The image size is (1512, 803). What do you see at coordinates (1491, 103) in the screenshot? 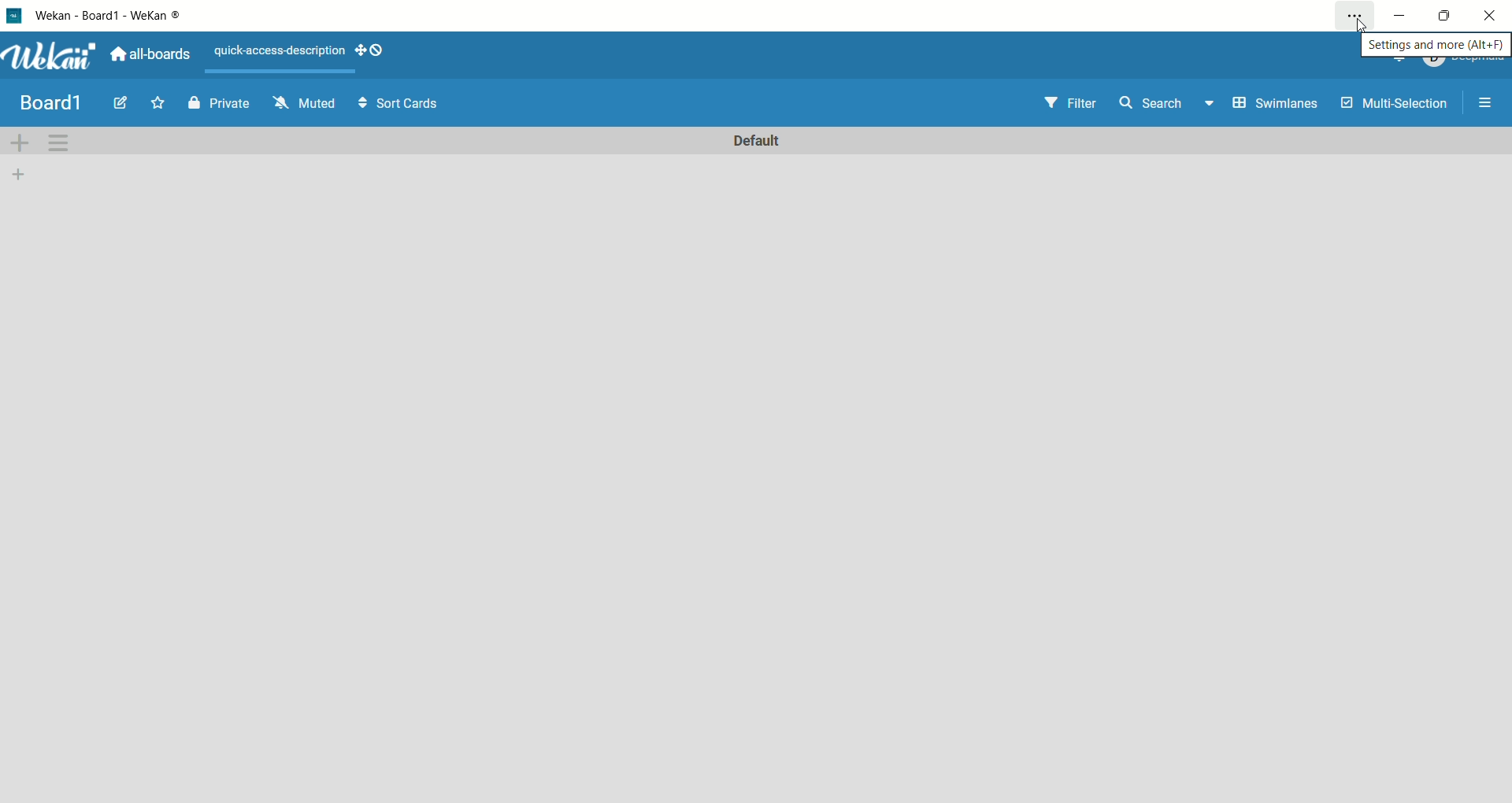
I see `options` at bounding box center [1491, 103].